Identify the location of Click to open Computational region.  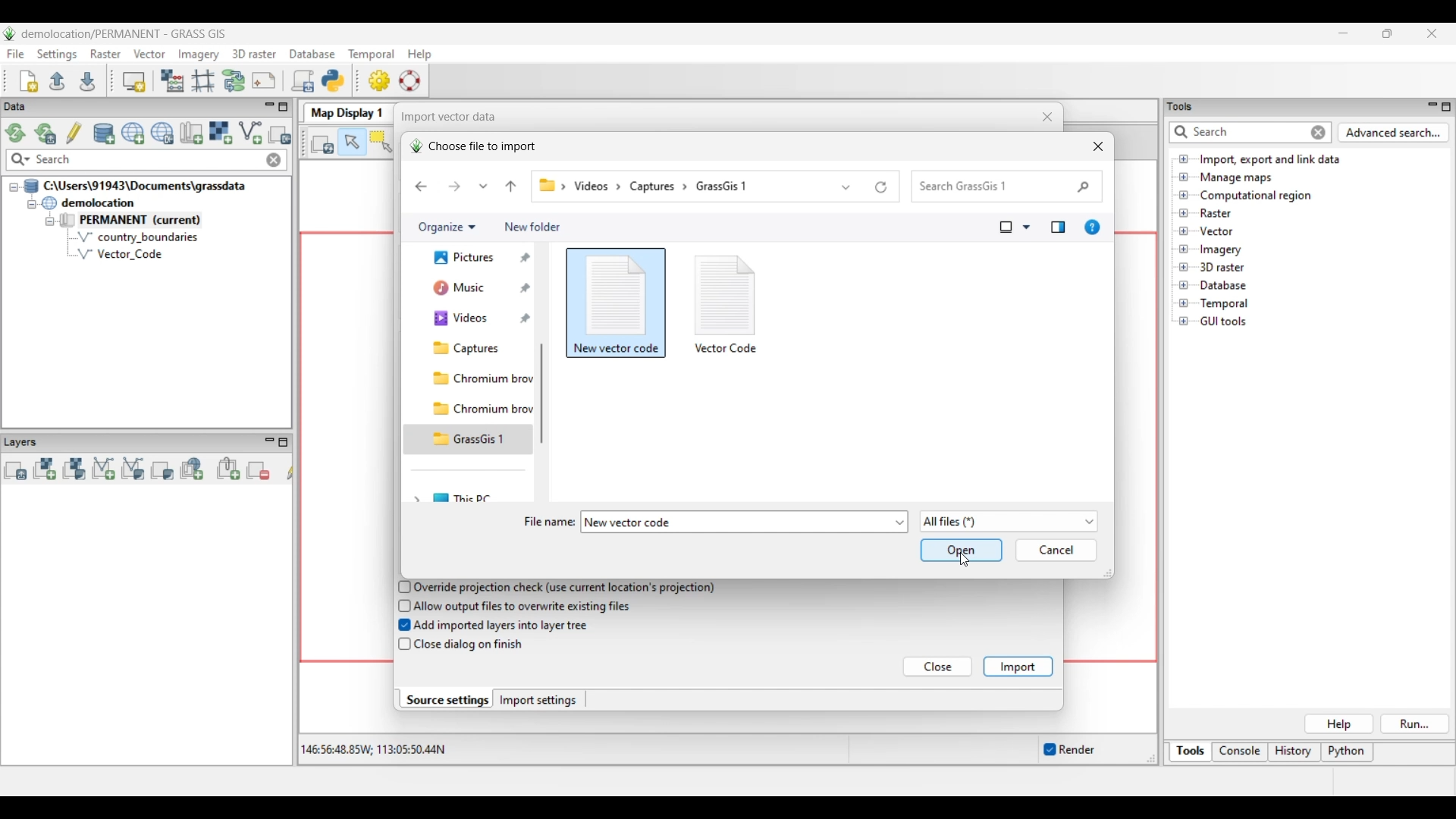
(1184, 195).